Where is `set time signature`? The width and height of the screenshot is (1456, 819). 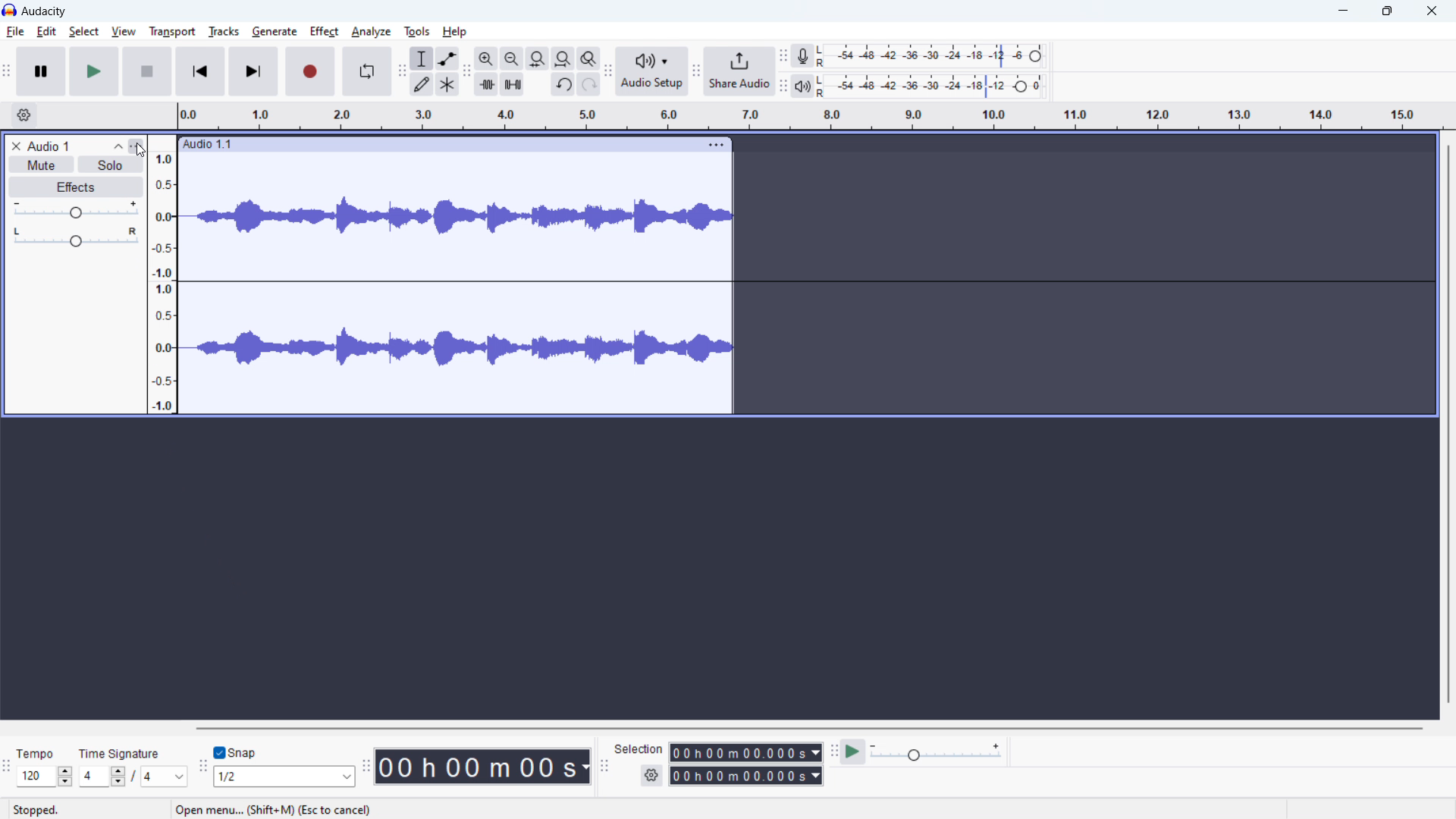
set time signature is located at coordinates (133, 777).